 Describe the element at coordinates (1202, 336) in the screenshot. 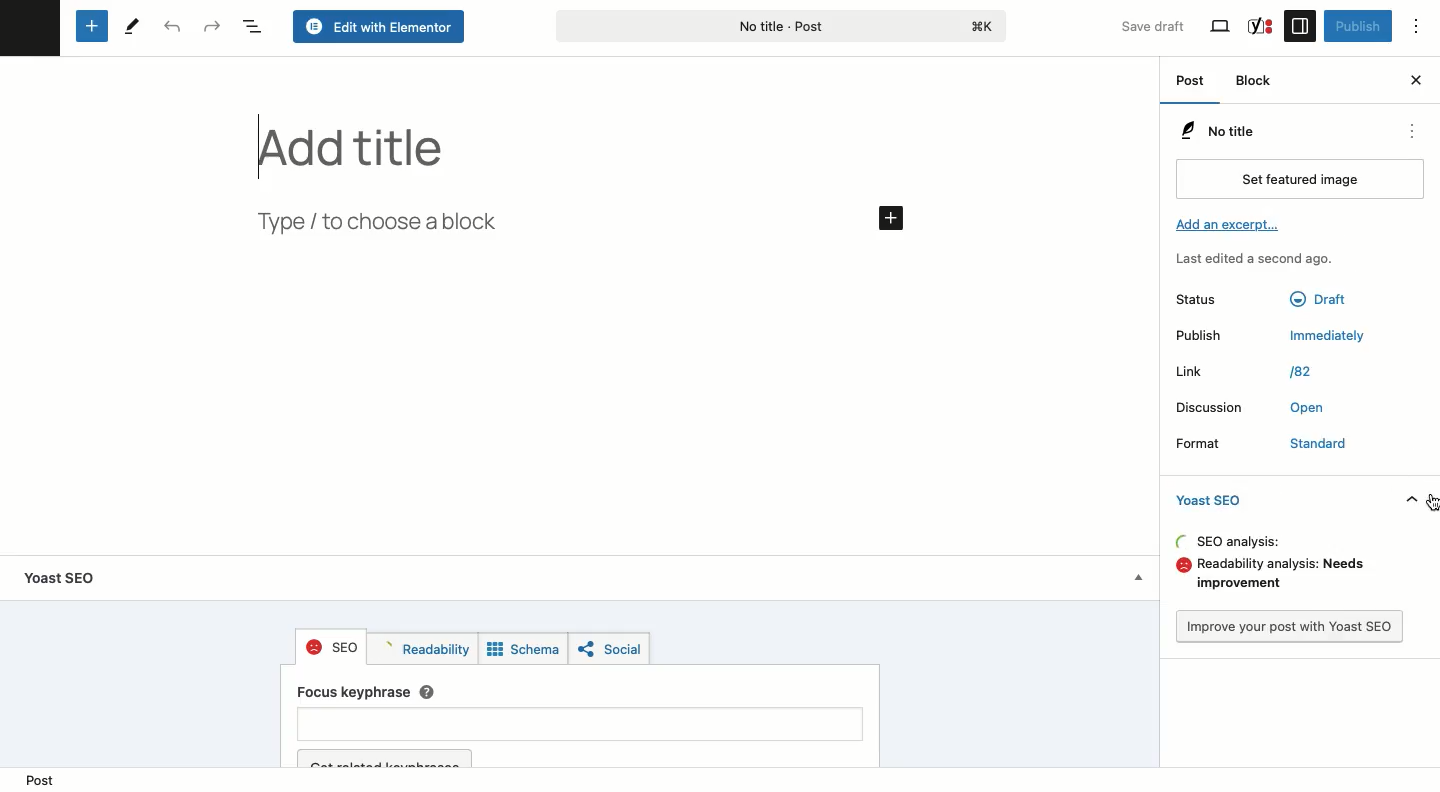

I see `Publish` at that location.